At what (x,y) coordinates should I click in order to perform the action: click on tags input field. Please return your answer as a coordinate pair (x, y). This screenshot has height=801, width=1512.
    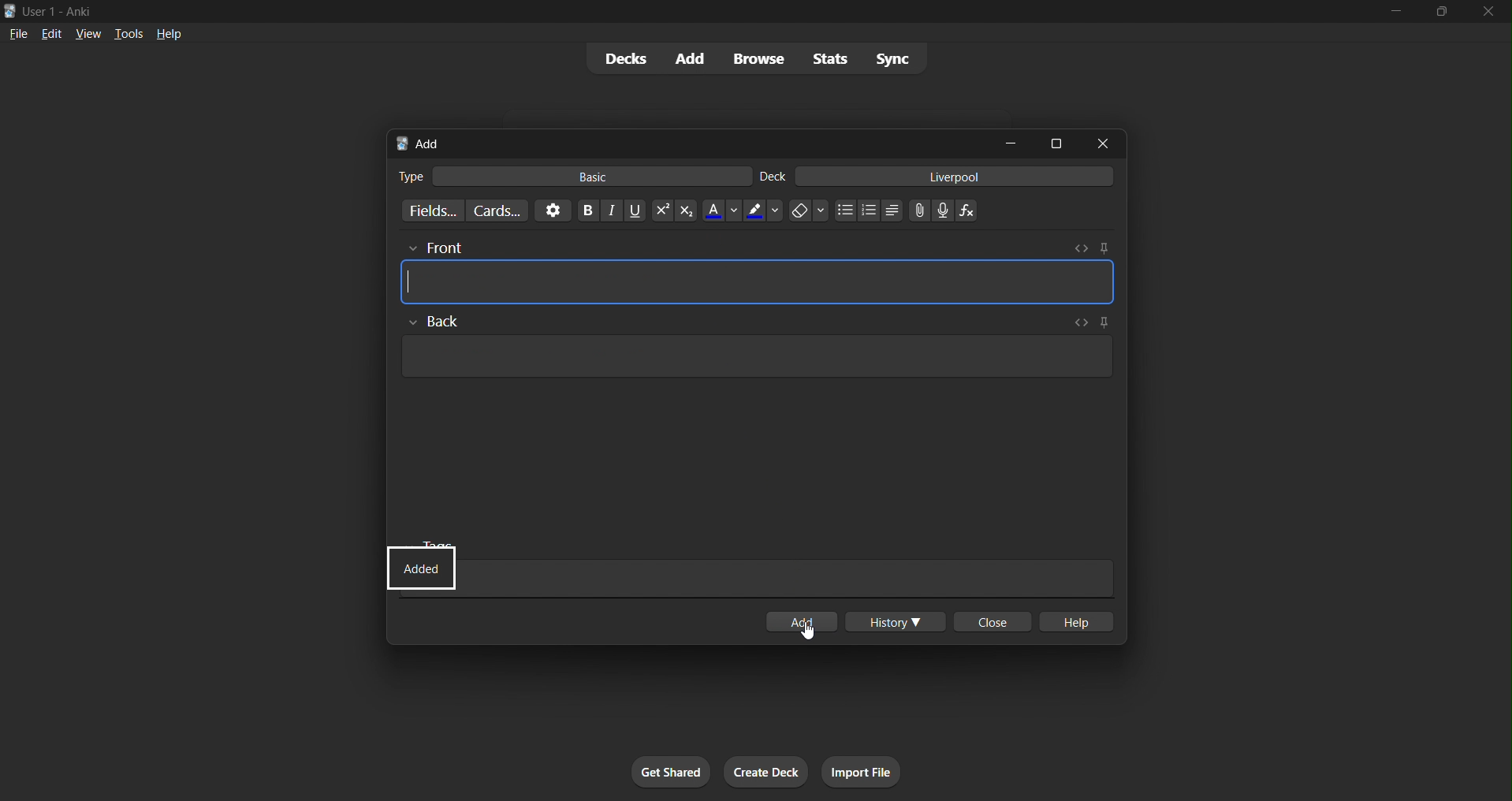
    Looking at the image, I should click on (759, 543).